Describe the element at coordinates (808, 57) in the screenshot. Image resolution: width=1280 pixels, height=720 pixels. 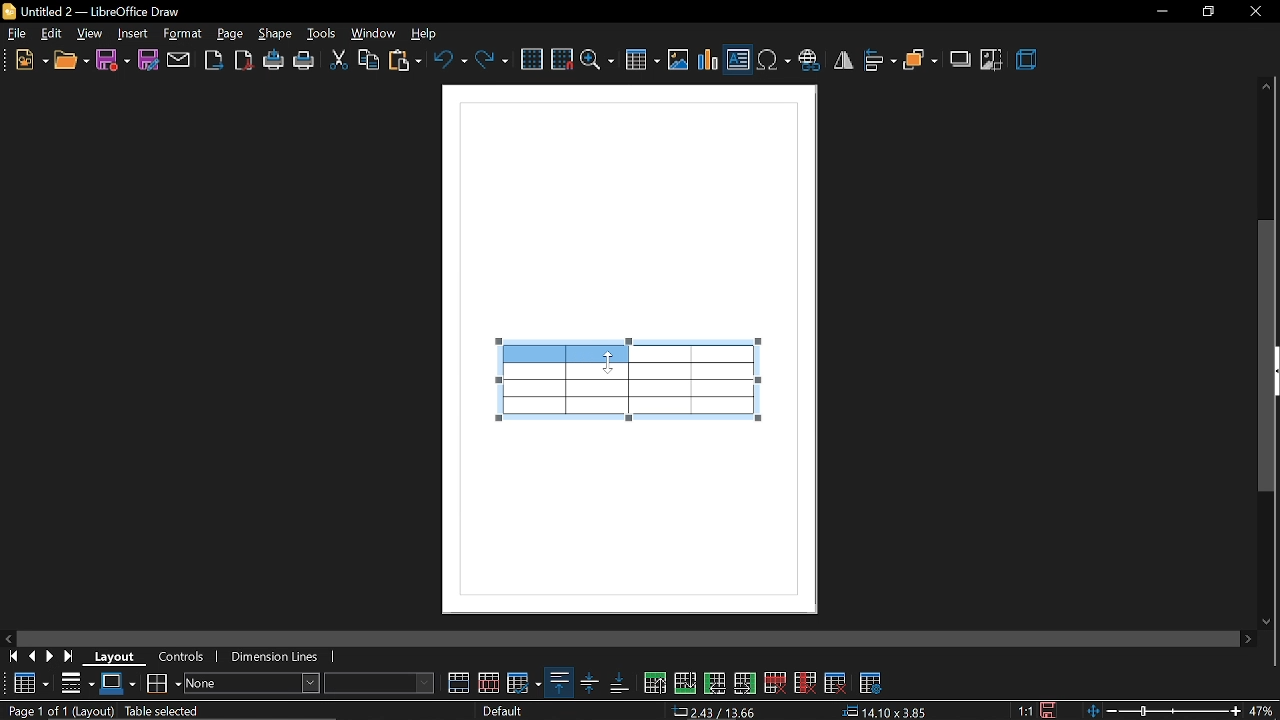
I see `insert hyperlink` at that location.